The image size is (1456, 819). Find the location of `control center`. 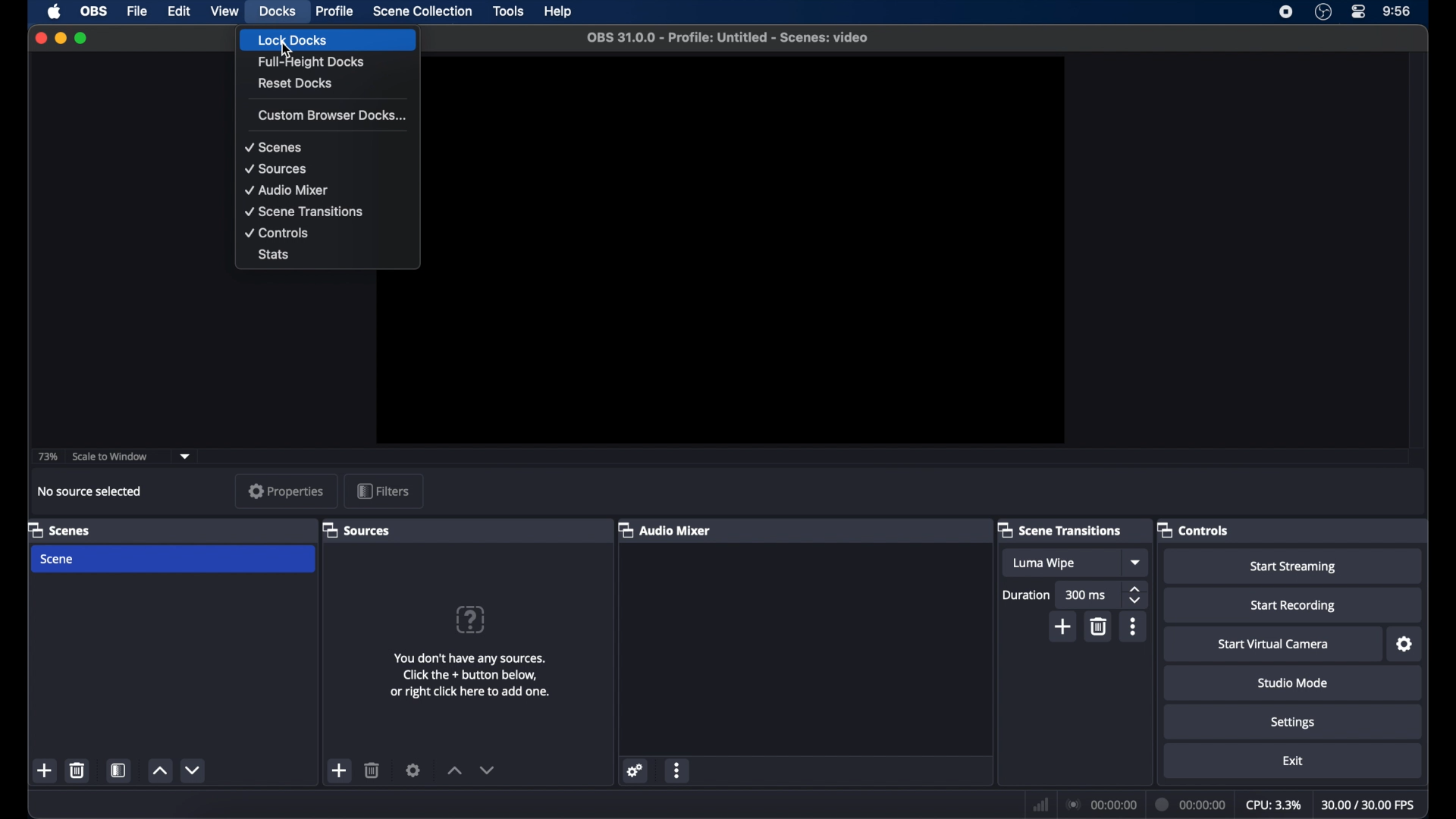

control center is located at coordinates (1360, 11).